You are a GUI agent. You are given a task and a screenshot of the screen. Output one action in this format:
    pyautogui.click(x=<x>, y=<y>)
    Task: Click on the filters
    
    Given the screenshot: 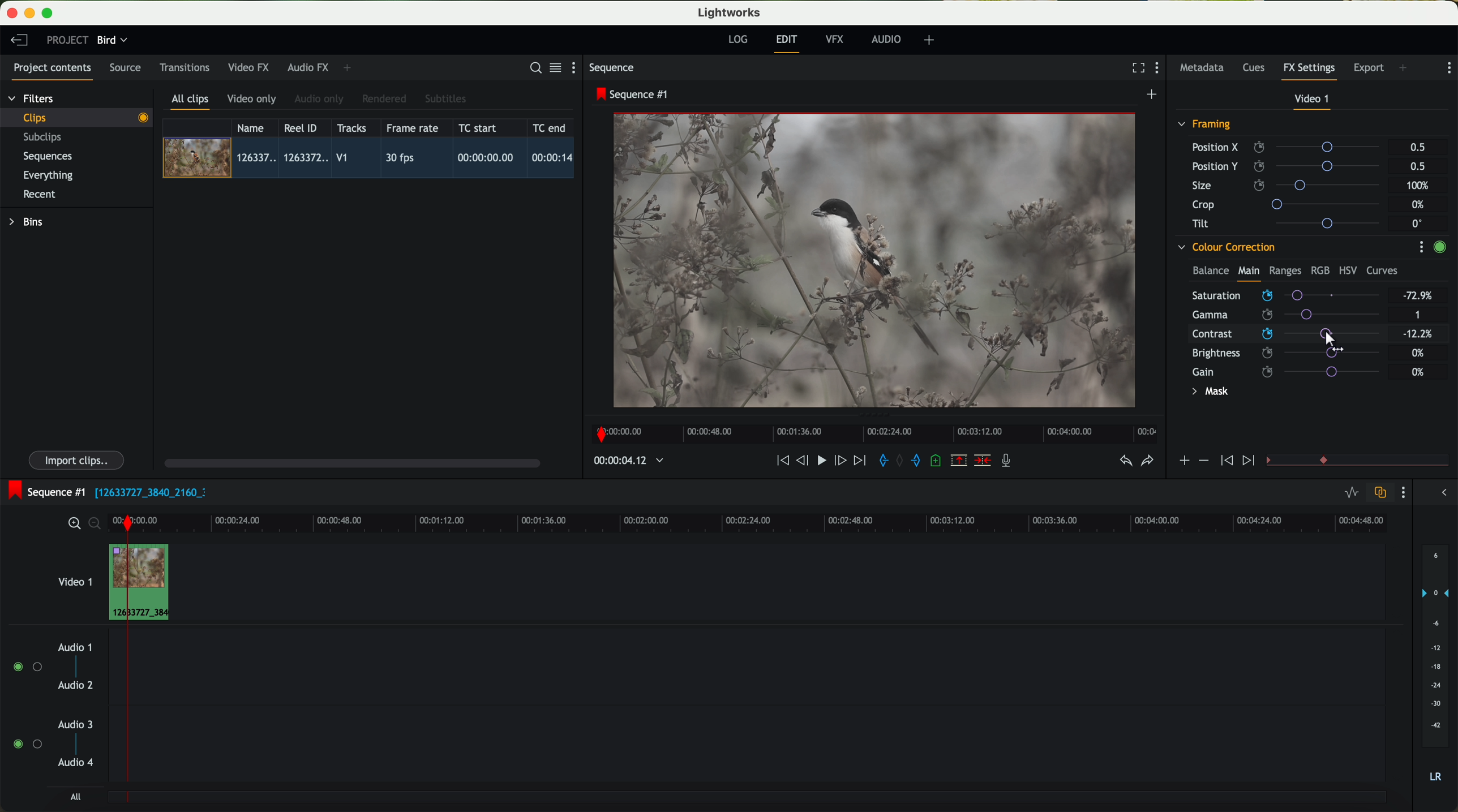 What is the action you would take?
    pyautogui.click(x=32, y=98)
    